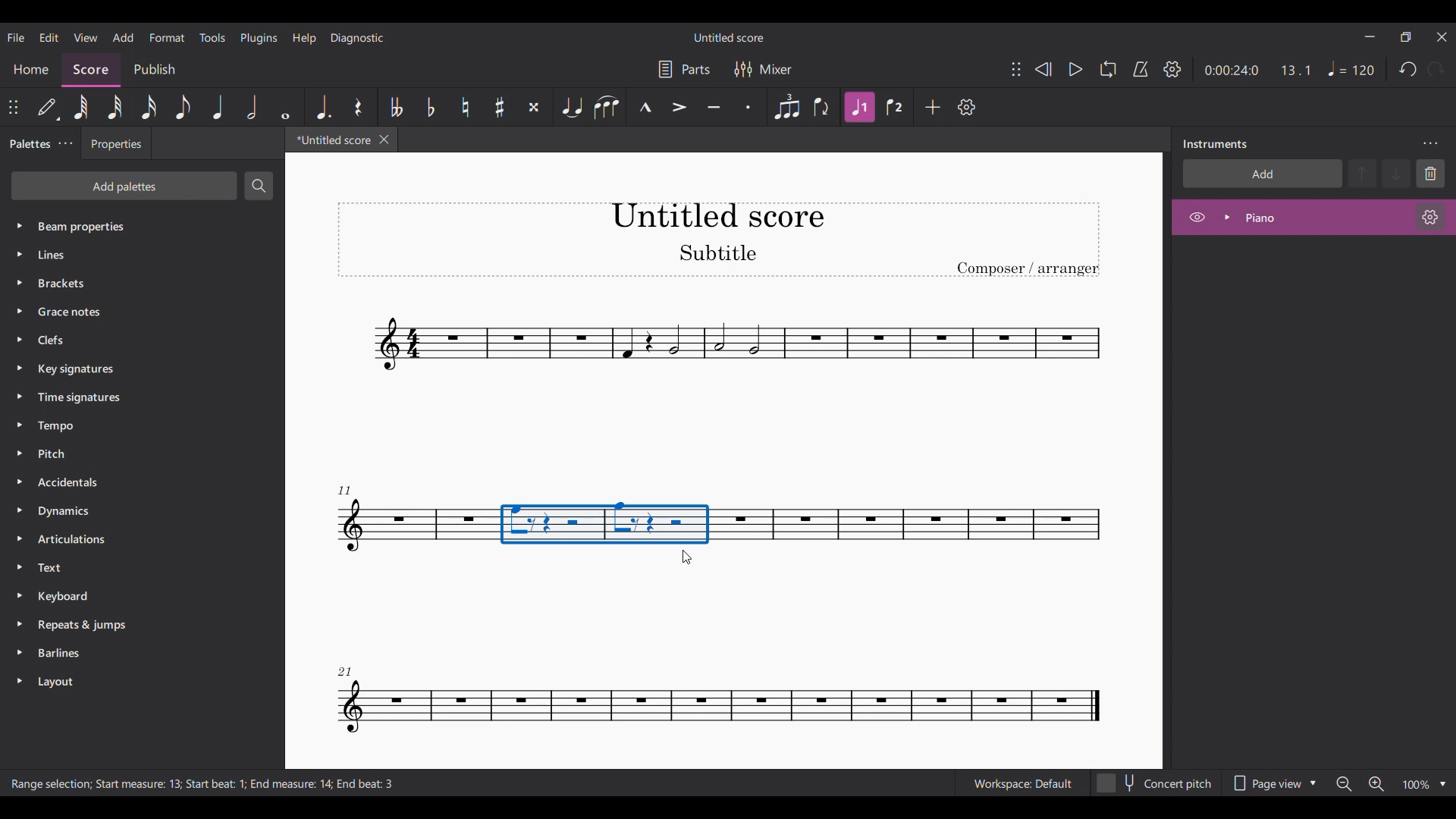  I want to click on Change position of toolbar, so click(14, 107).